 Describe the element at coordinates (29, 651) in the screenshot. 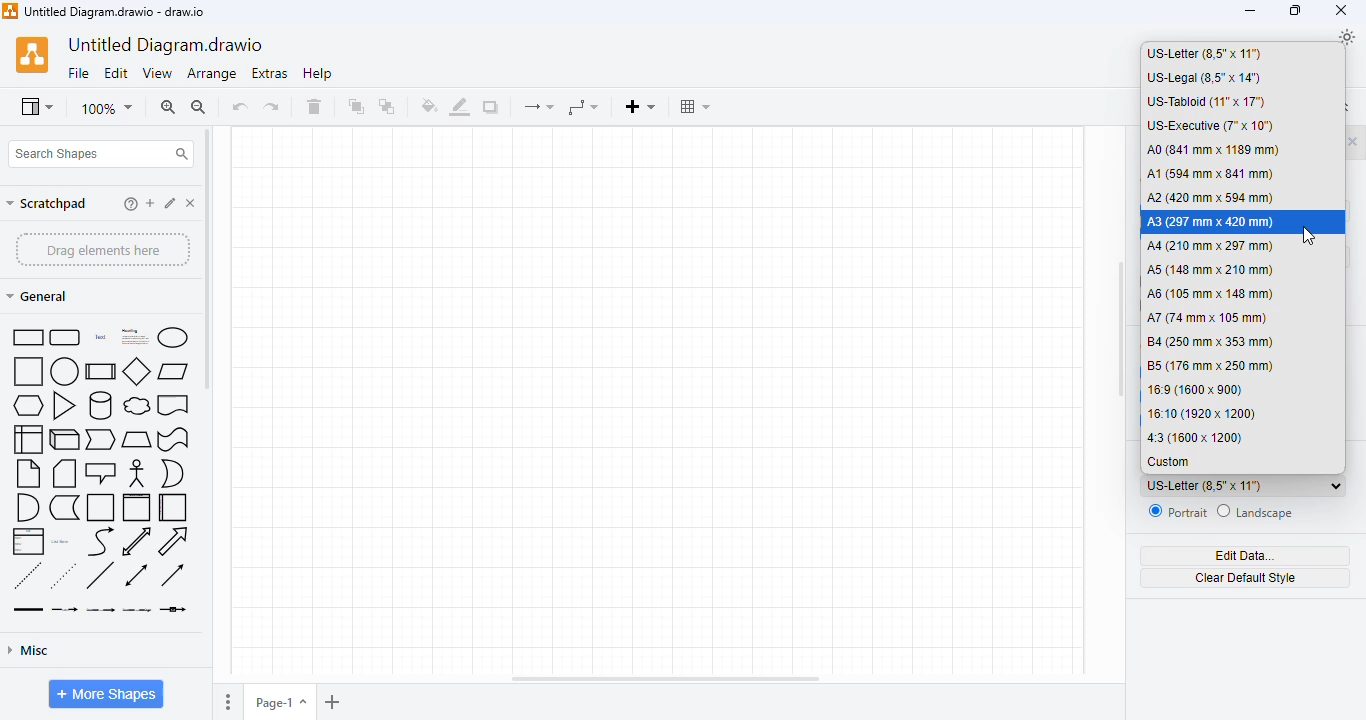

I see `misc` at that location.